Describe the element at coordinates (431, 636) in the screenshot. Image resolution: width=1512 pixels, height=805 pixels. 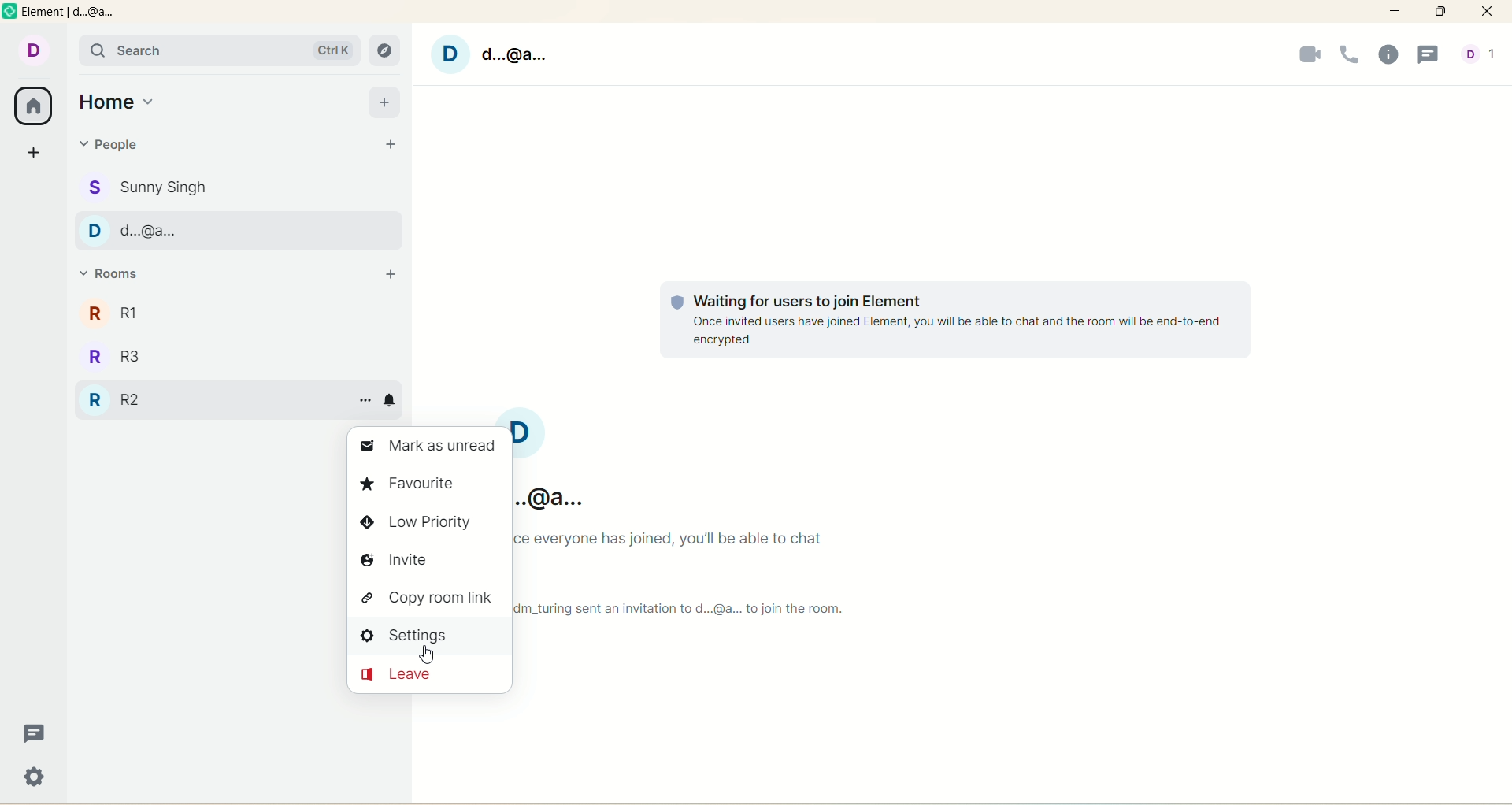
I see `settings` at that location.